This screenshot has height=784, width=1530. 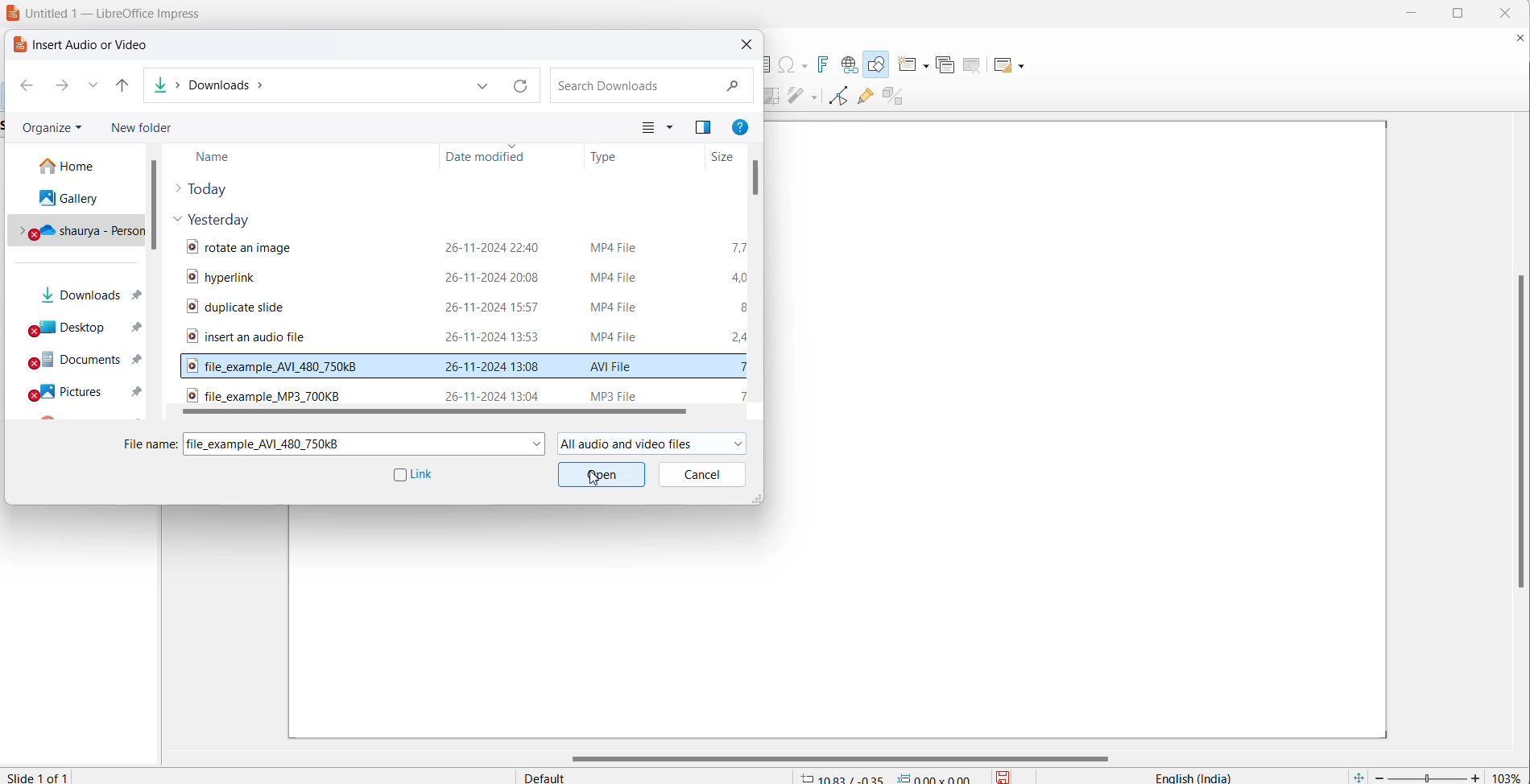 I want to click on Slide layout options, so click(x=1021, y=65).